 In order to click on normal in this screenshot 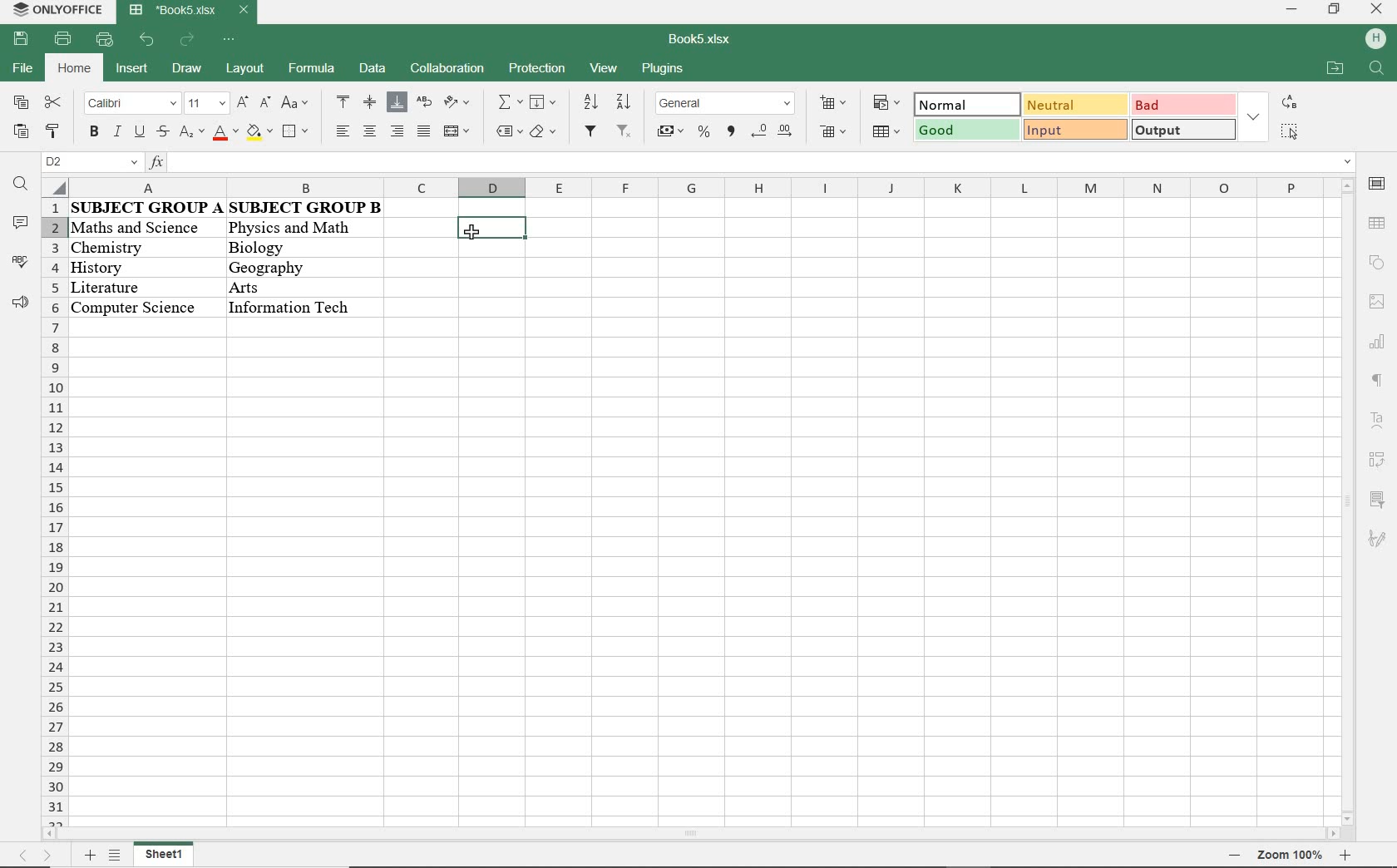, I will do `click(963, 105)`.